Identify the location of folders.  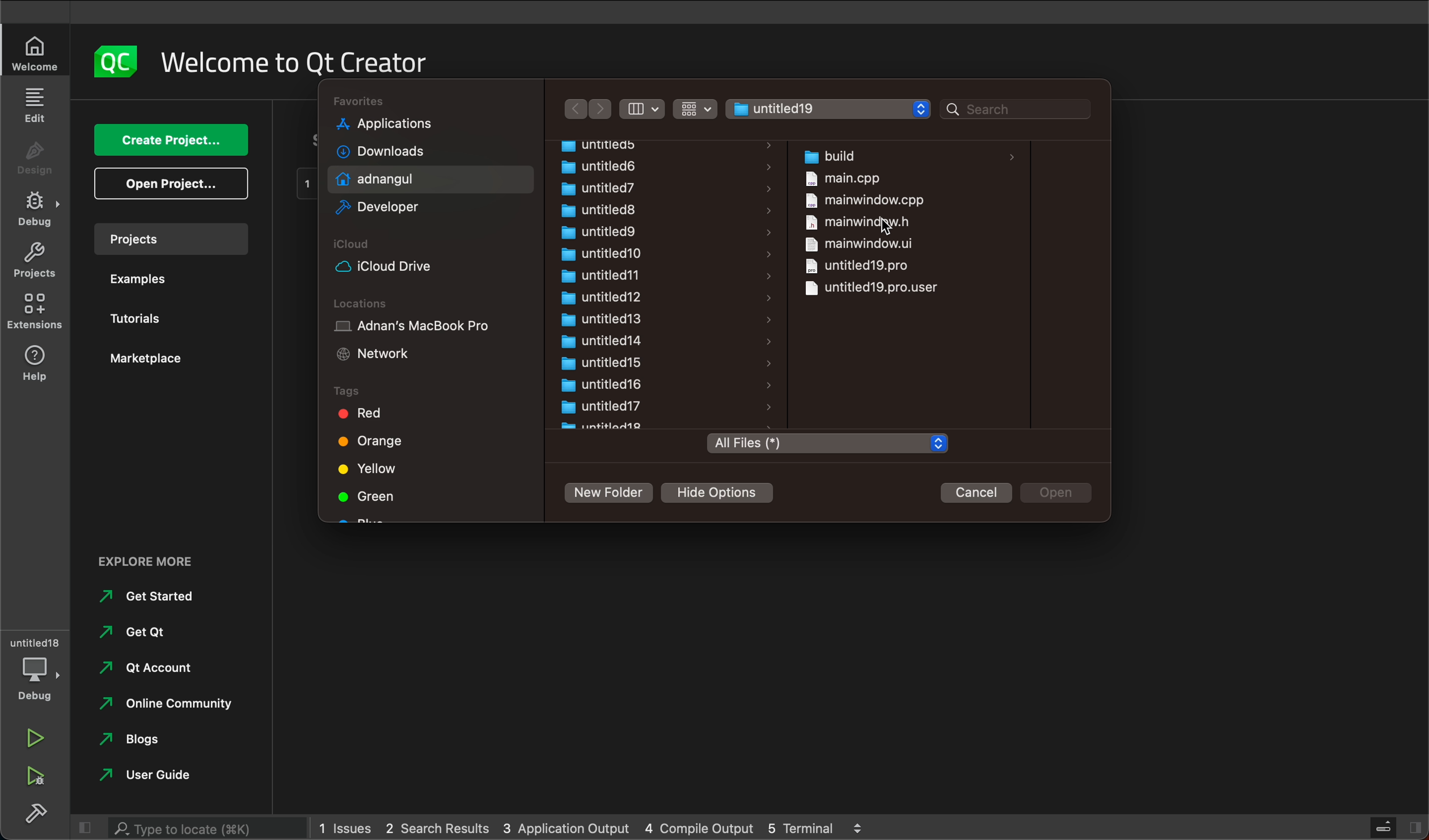
(641, 145).